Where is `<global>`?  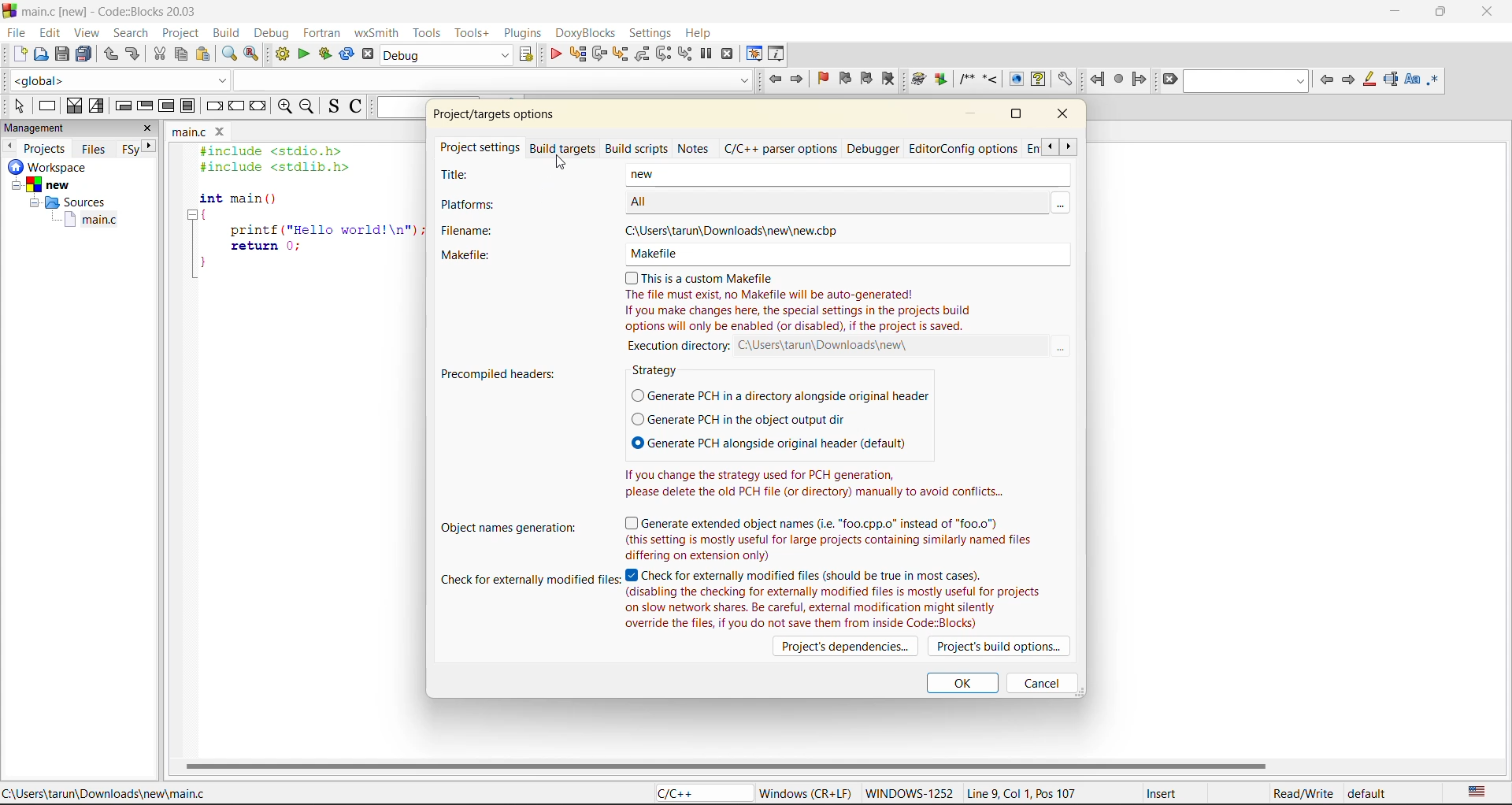
<global> is located at coordinates (118, 80).